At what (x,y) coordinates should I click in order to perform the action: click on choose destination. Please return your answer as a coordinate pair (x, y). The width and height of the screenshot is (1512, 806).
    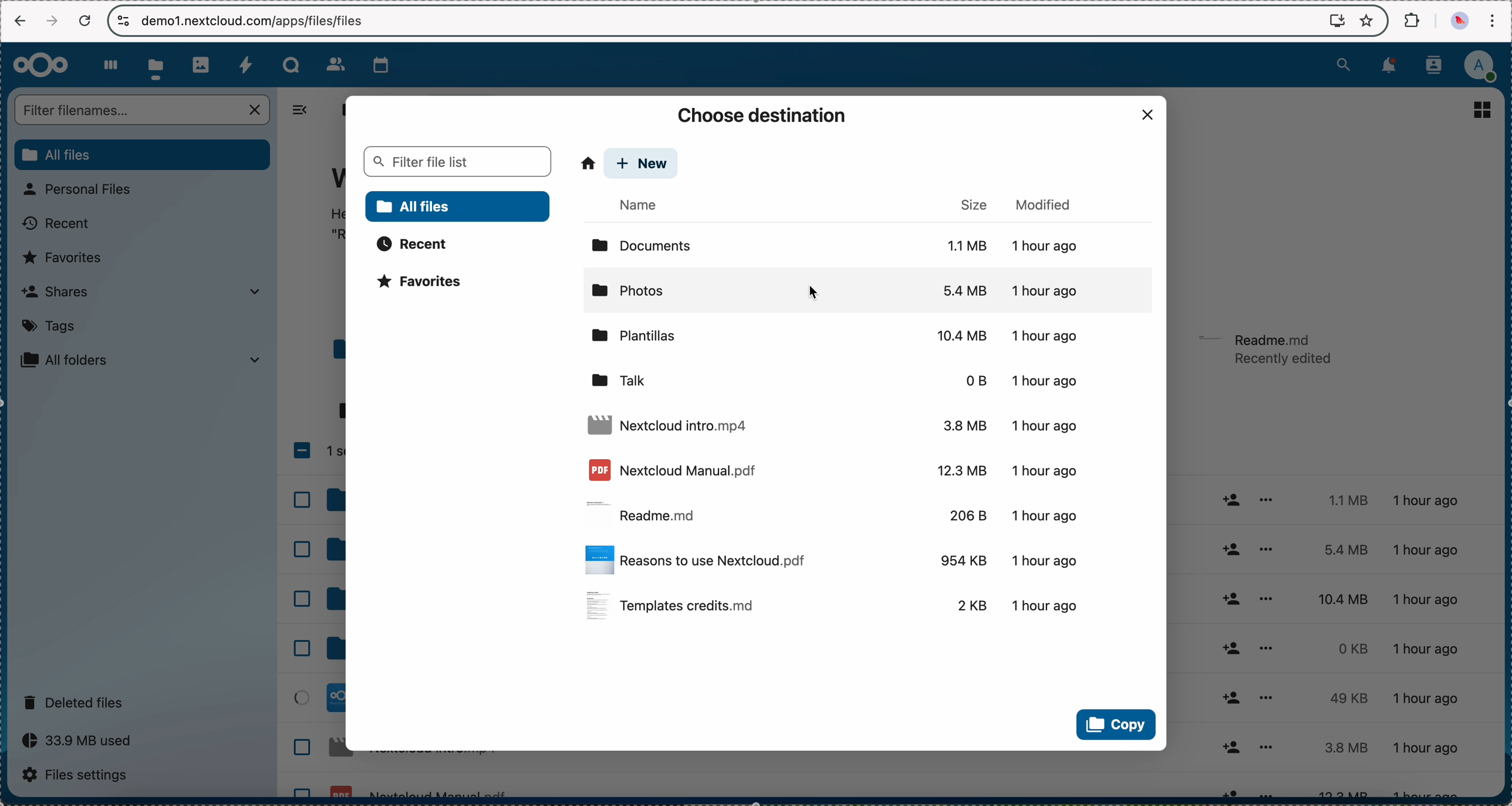
    Looking at the image, I should click on (764, 115).